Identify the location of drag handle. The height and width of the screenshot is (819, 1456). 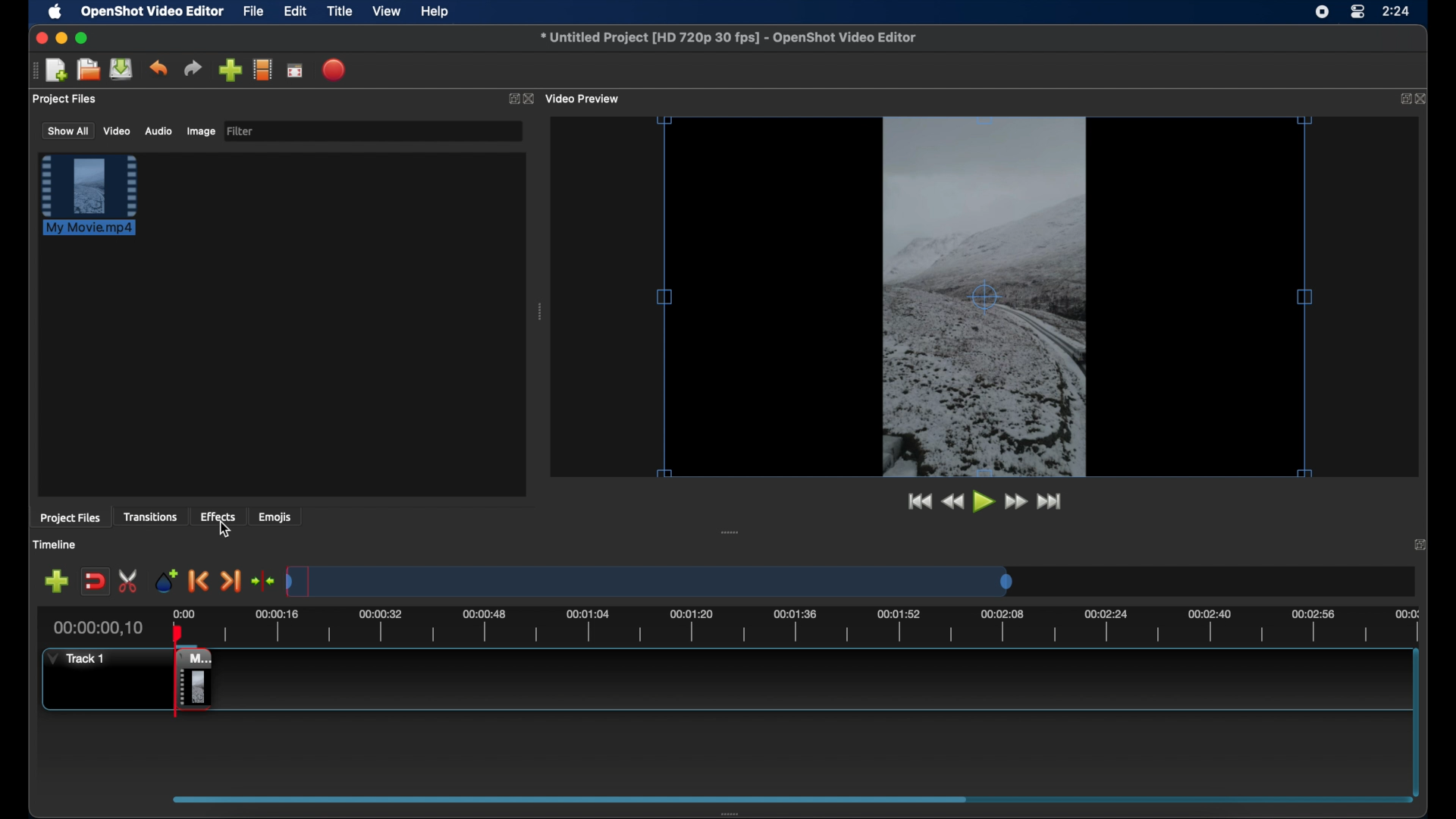
(731, 532).